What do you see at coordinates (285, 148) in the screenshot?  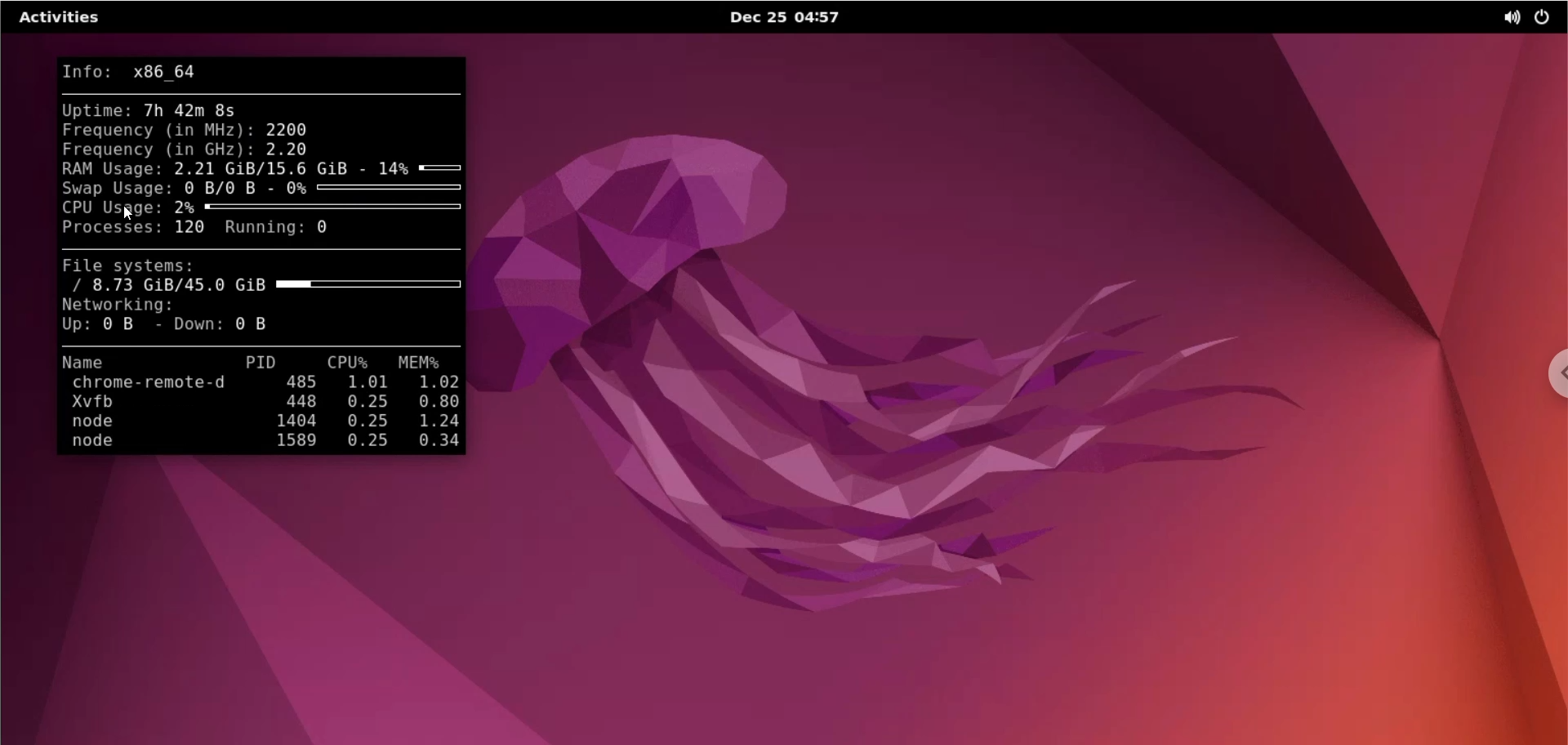 I see `2.20` at bounding box center [285, 148].